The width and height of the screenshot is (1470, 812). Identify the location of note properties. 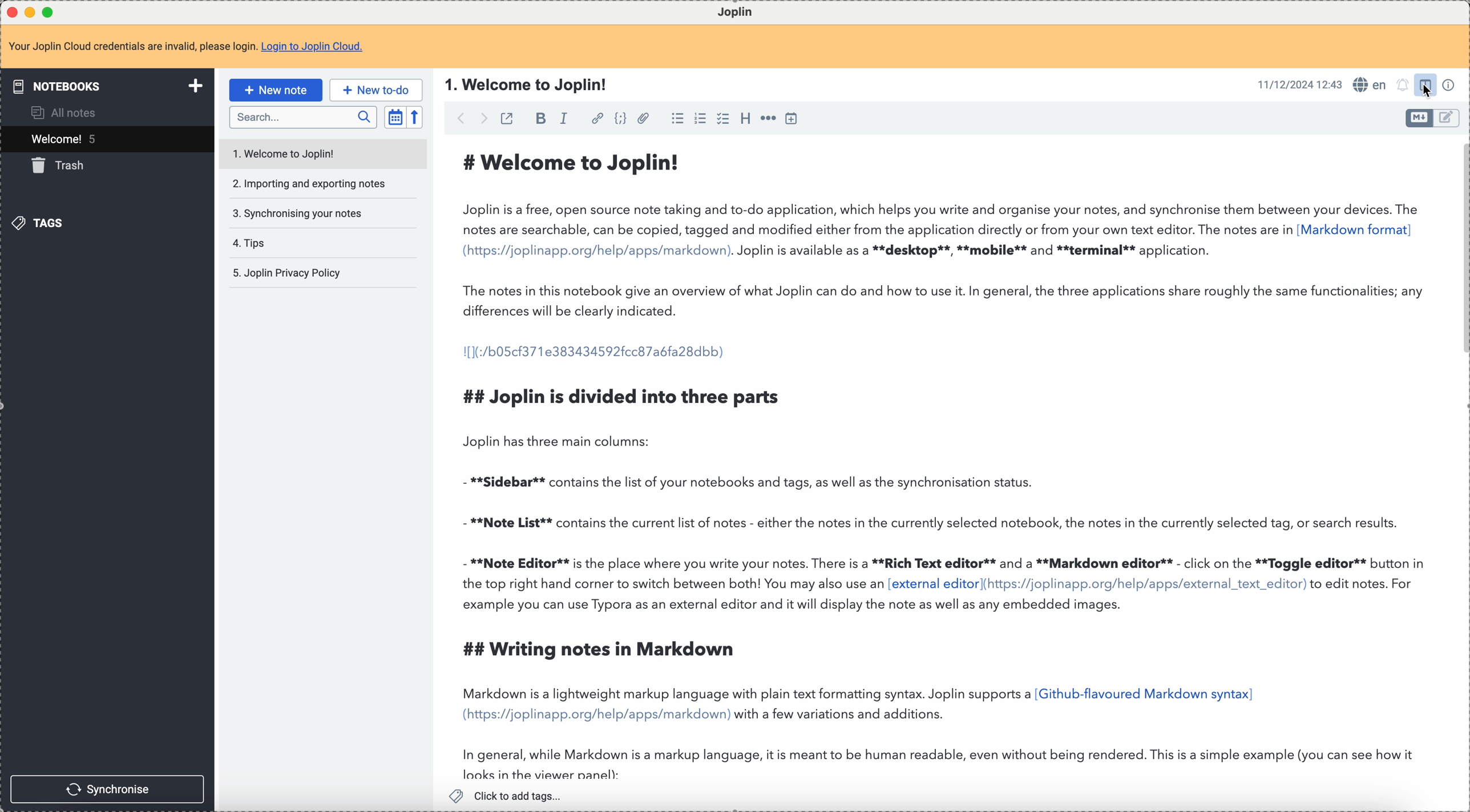
(1449, 85).